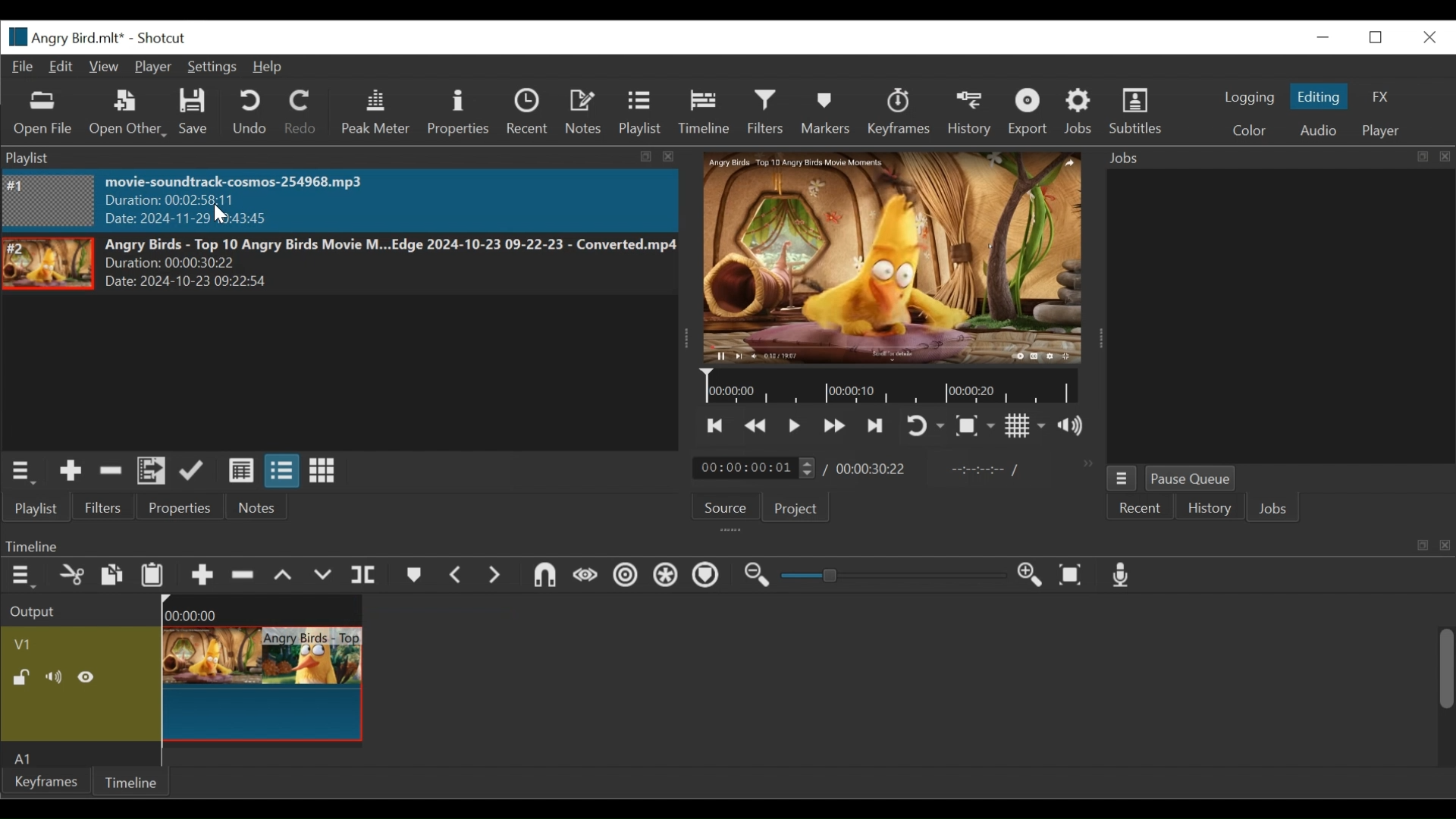 The image size is (1456, 819). I want to click on Redo, so click(303, 112).